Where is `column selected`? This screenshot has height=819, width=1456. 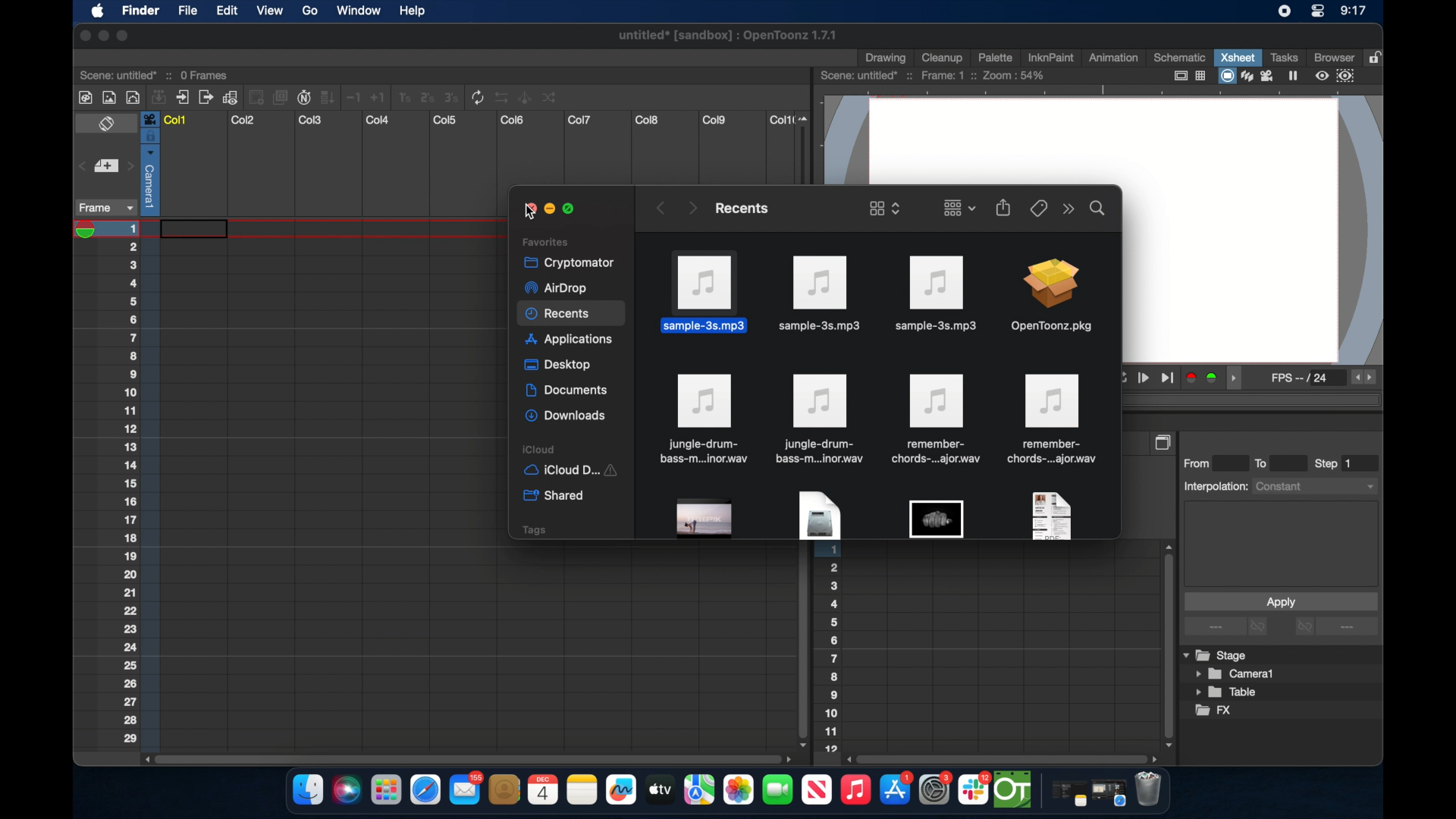 column selected is located at coordinates (149, 163).